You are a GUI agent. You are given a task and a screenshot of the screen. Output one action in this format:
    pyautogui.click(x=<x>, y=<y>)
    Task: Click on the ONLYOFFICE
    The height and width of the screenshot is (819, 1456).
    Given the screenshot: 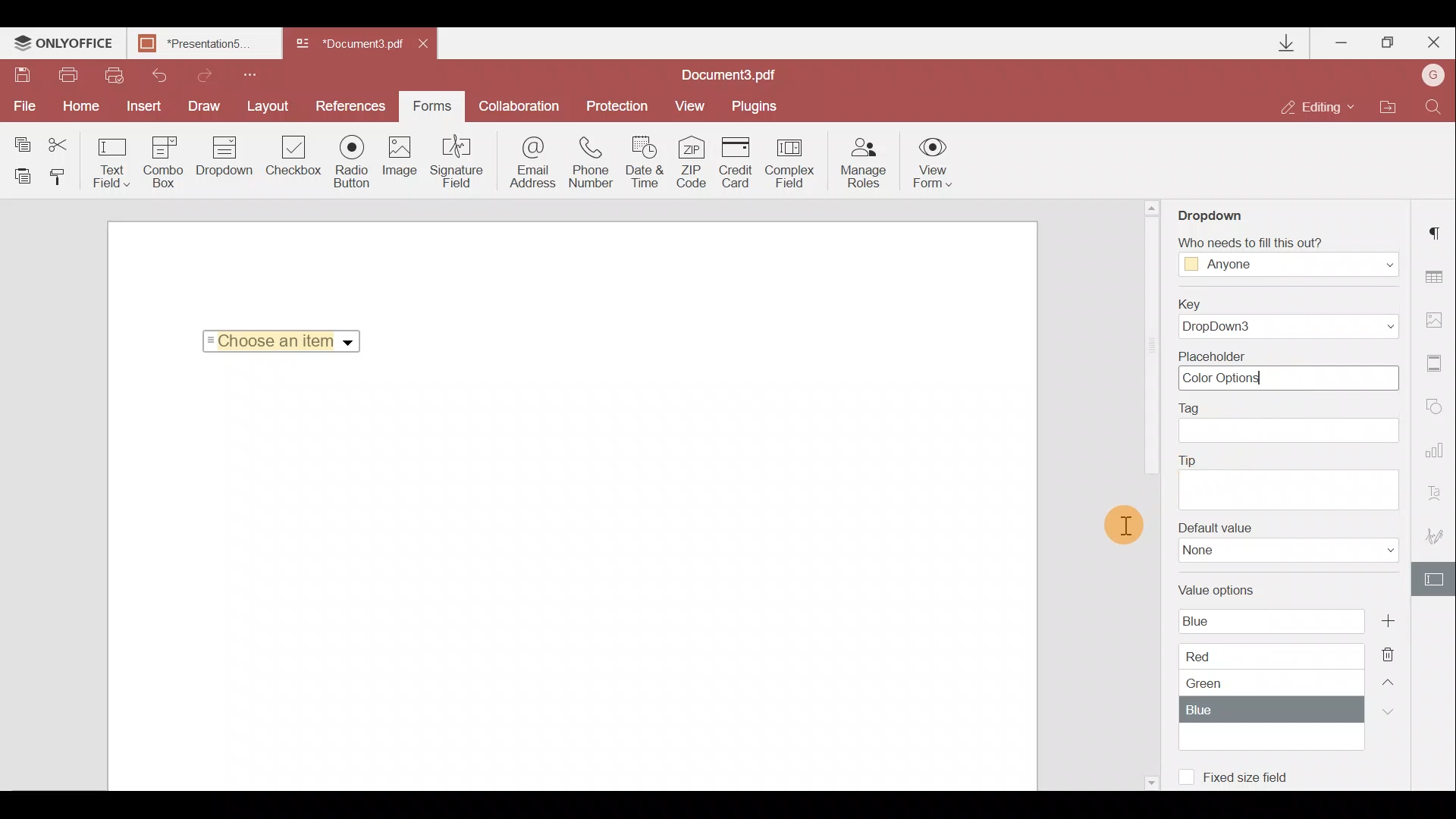 What is the action you would take?
    pyautogui.click(x=64, y=45)
    